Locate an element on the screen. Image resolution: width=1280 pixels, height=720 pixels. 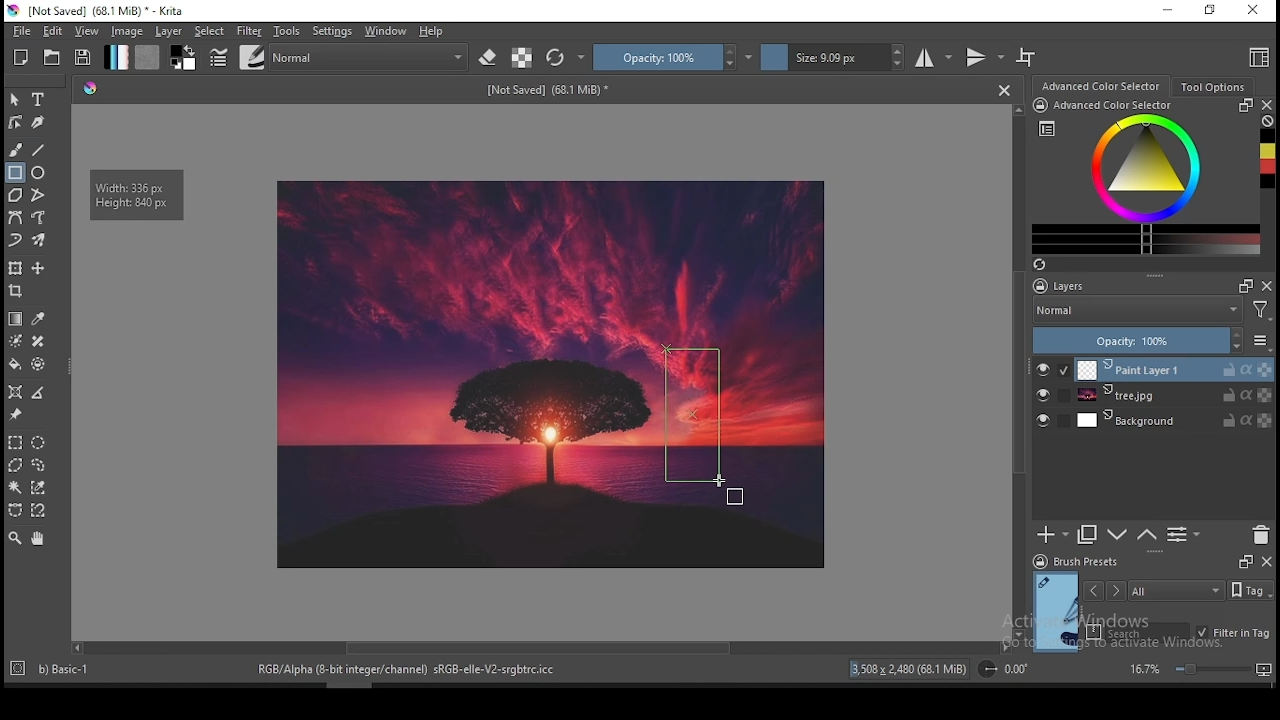
layer is located at coordinates (1174, 369).